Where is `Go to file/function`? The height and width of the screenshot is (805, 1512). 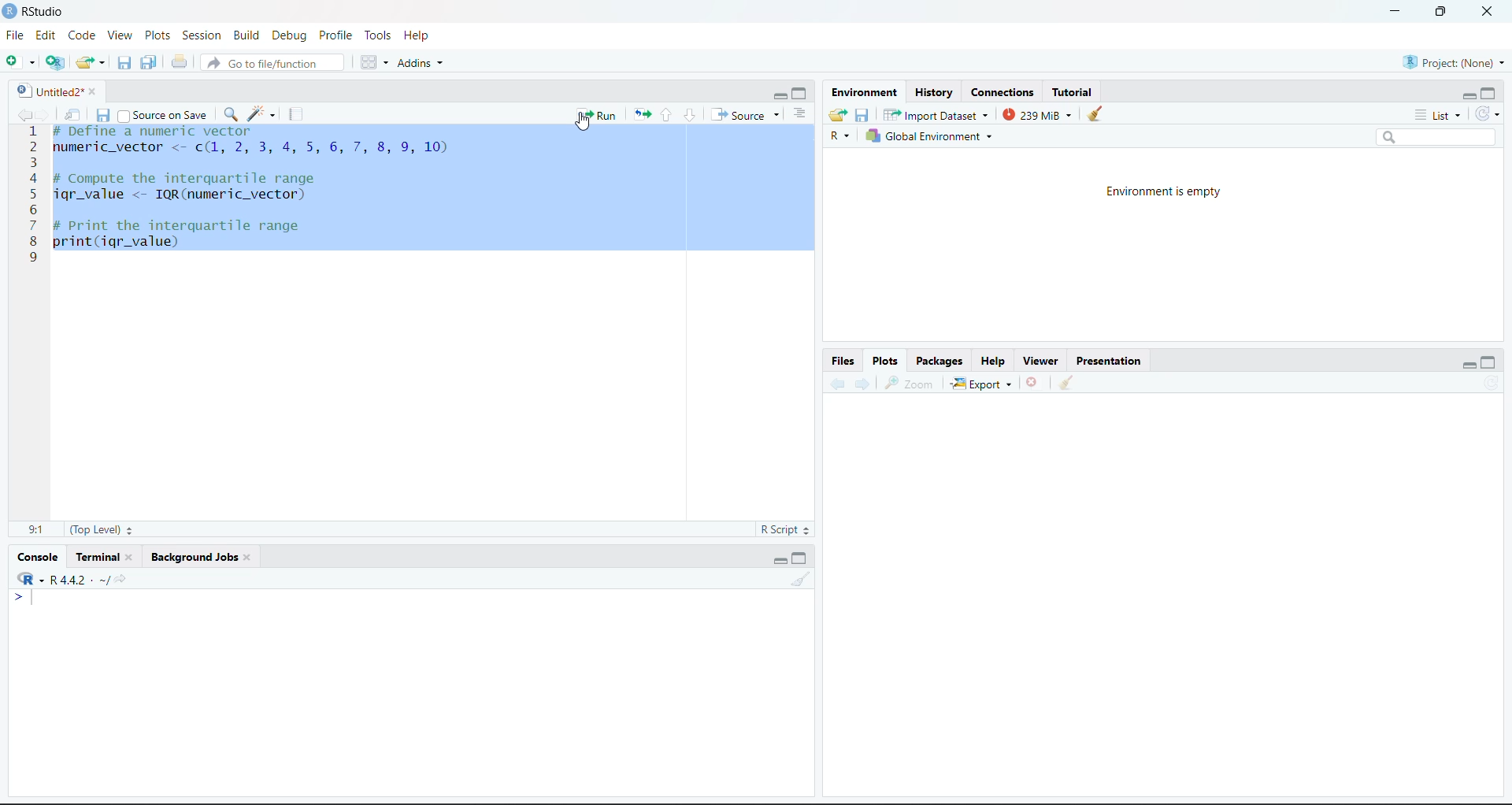
Go to file/function is located at coordinates (272, 61).